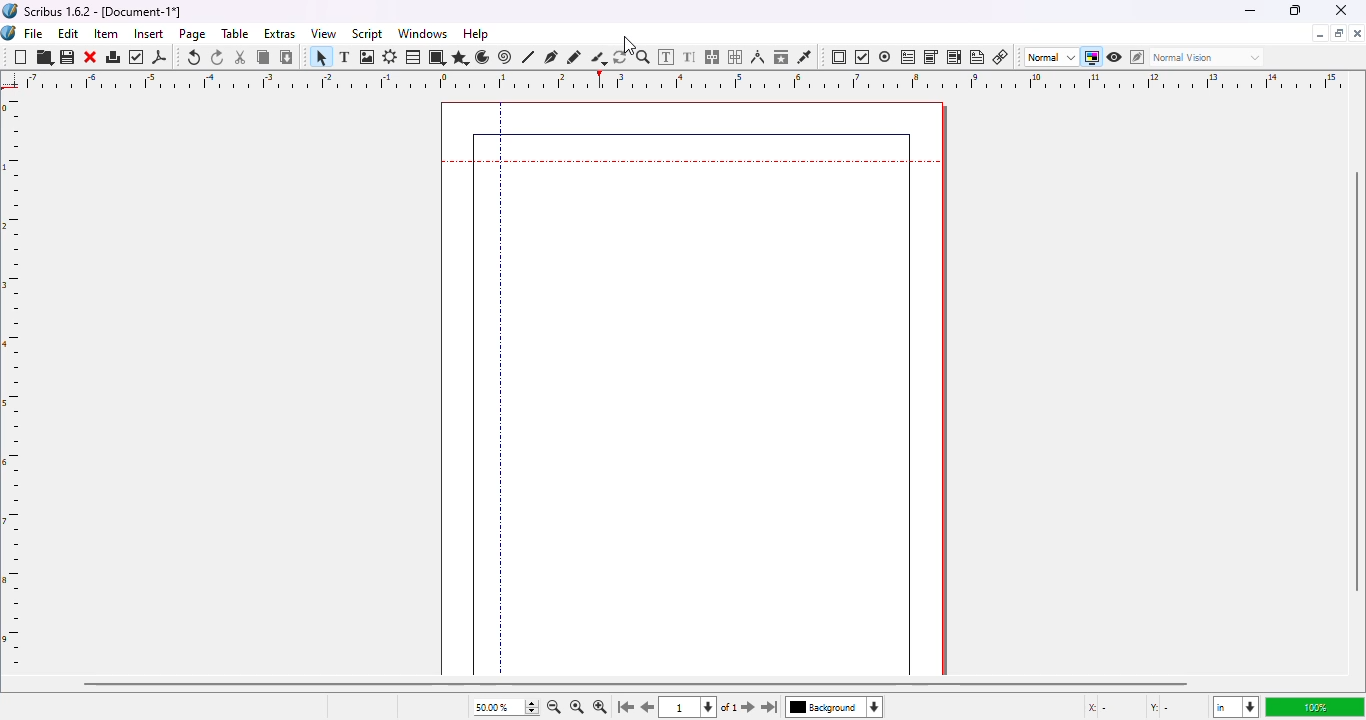 This screenshot has height=720, width=1366. What do you see at coordinates (1091, 57) in the screenshot?
I see `toggle color management system` at bounding box center [1091, 57].